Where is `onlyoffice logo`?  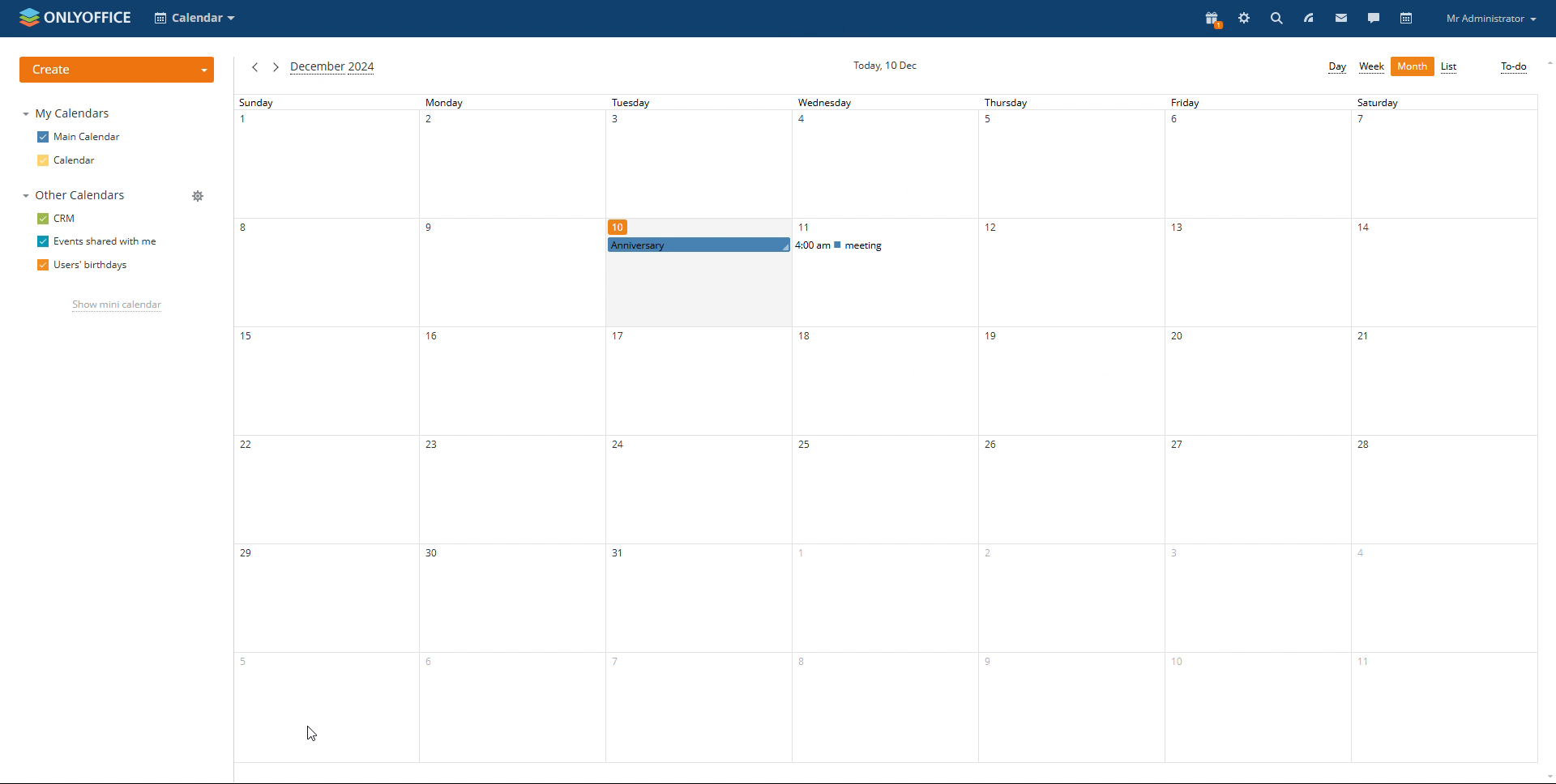 onlyoffice logo is located at coordinates (28, 19).